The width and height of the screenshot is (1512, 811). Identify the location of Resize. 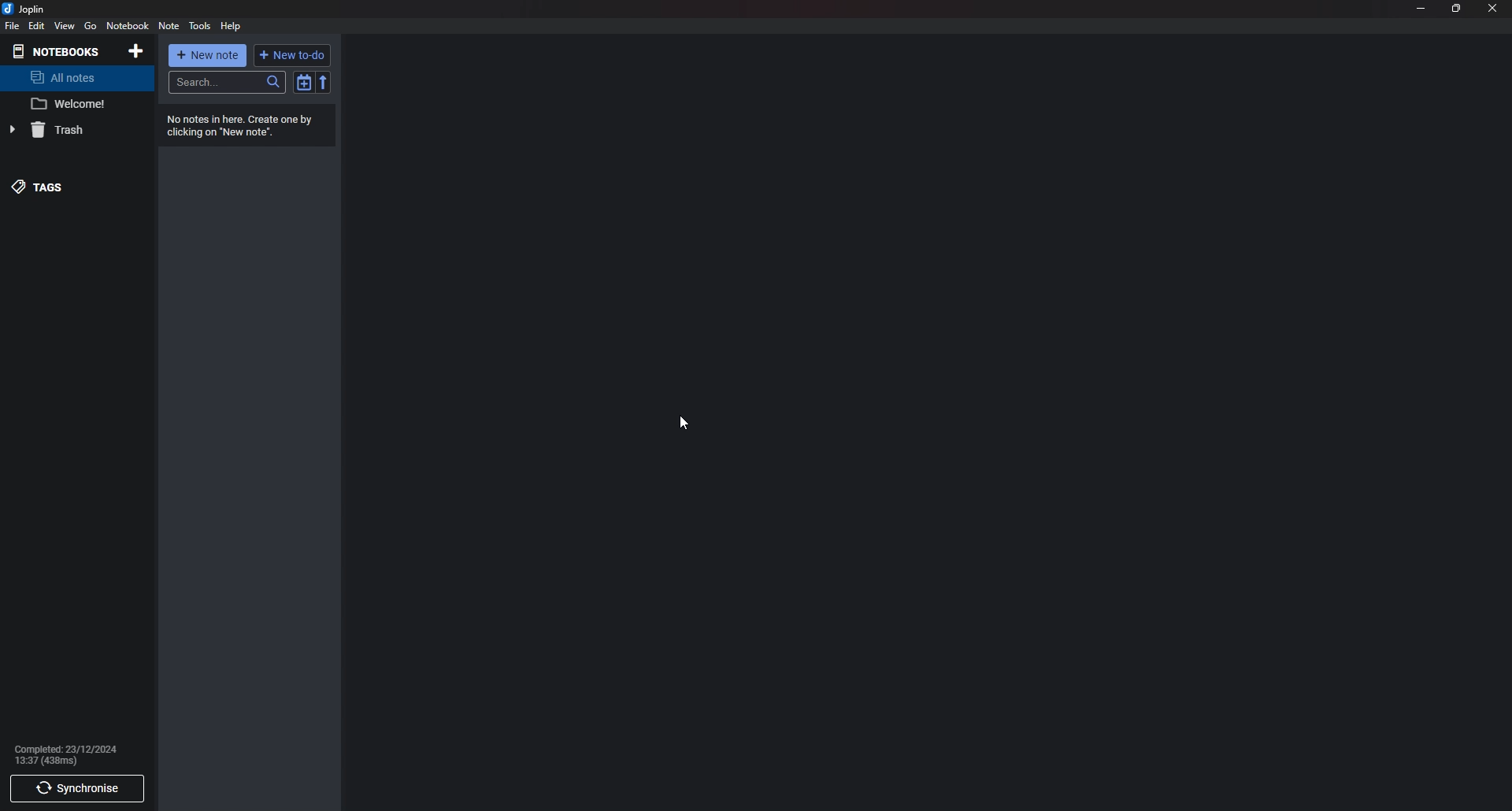
(1456, 9).